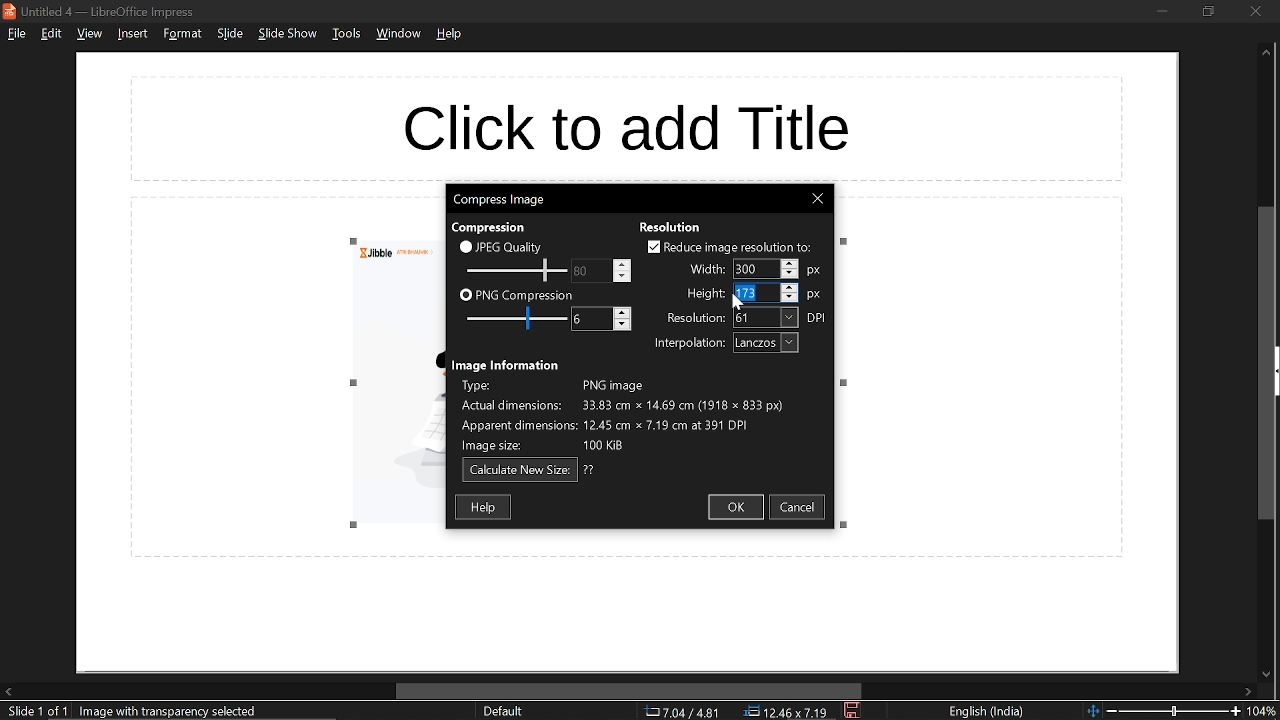 The width and height of the screenshot is (1280, 720). I want to click on px, so click(815, 295).